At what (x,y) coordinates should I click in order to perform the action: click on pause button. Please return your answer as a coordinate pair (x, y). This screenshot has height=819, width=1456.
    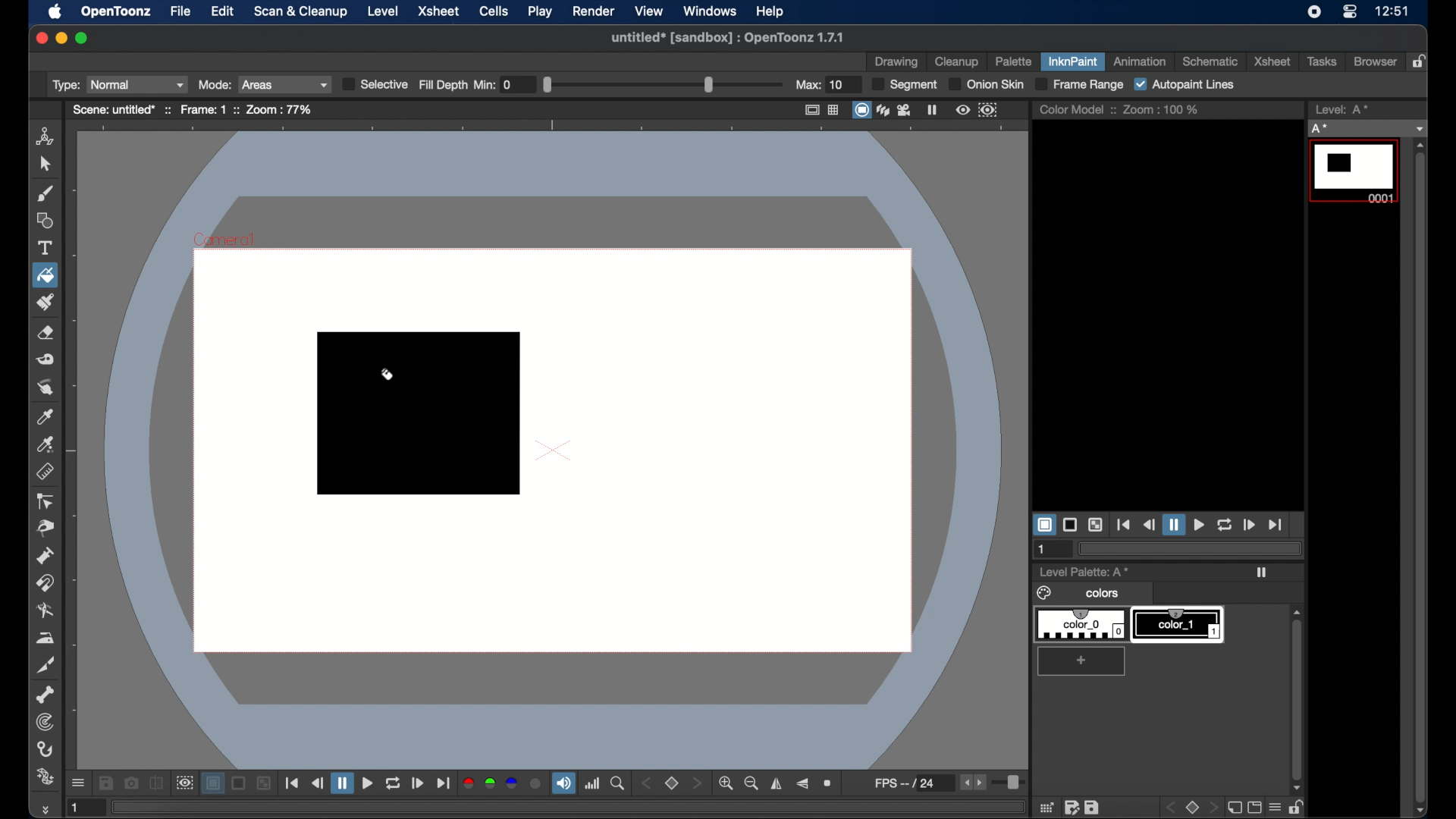
    Looking at the image, I should click on (1173, 524).